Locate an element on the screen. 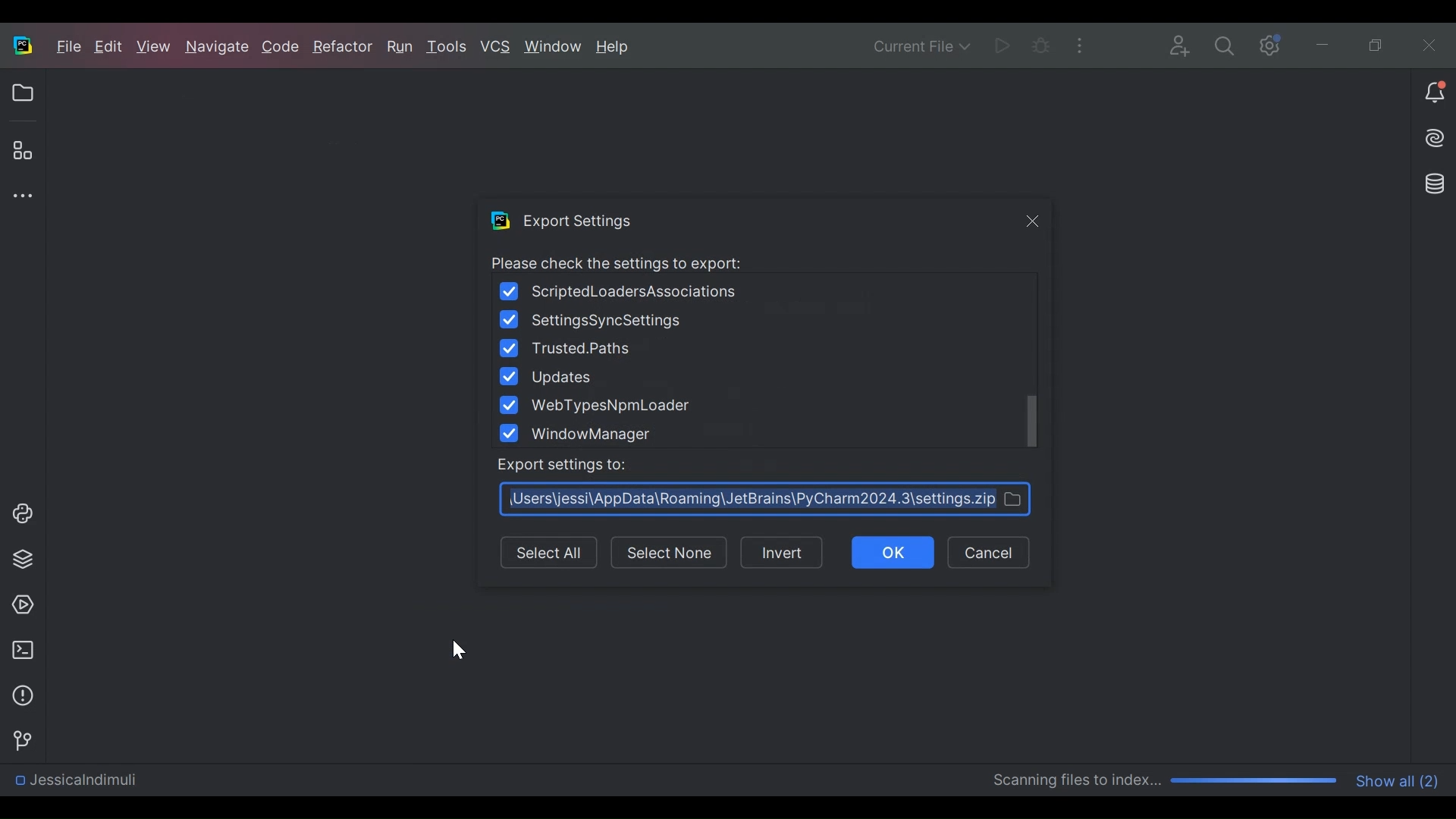 This screenshot has width=1456, height=819. PyCharm is located at coordinates (22, 45).